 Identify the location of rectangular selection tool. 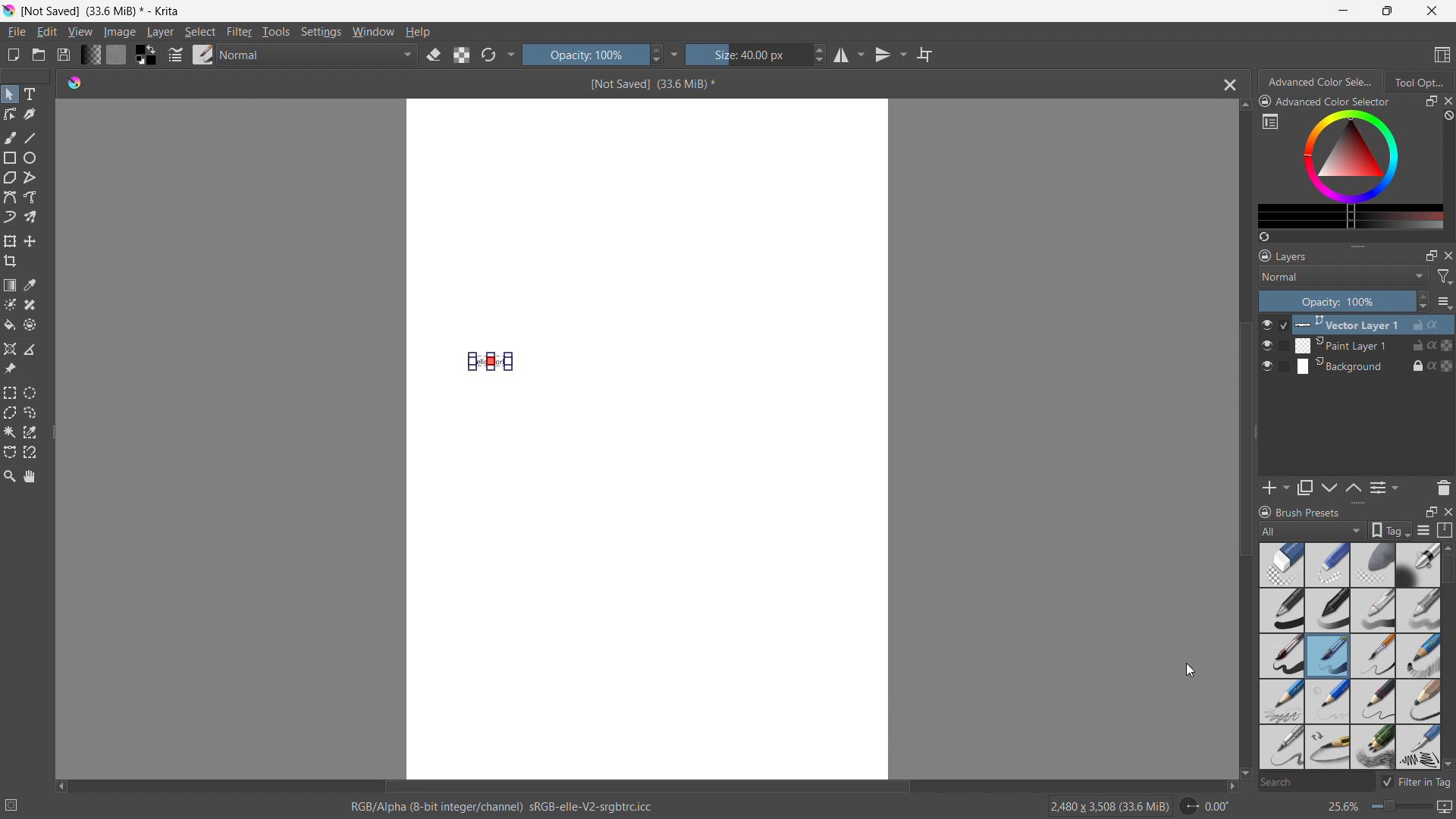
(10, 393).